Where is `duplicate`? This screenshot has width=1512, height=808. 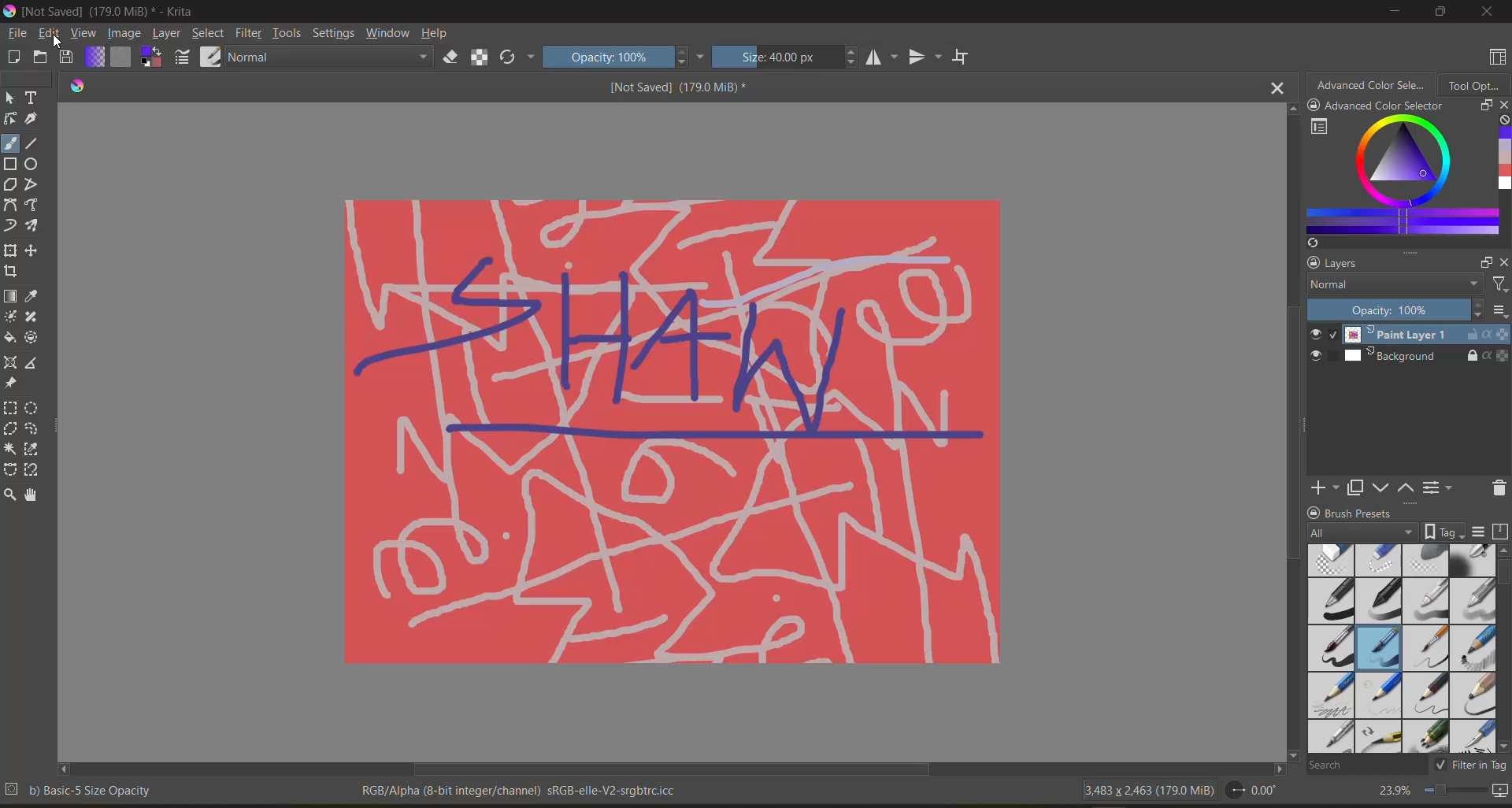
duplicate is located at coordinates (1356, 487).